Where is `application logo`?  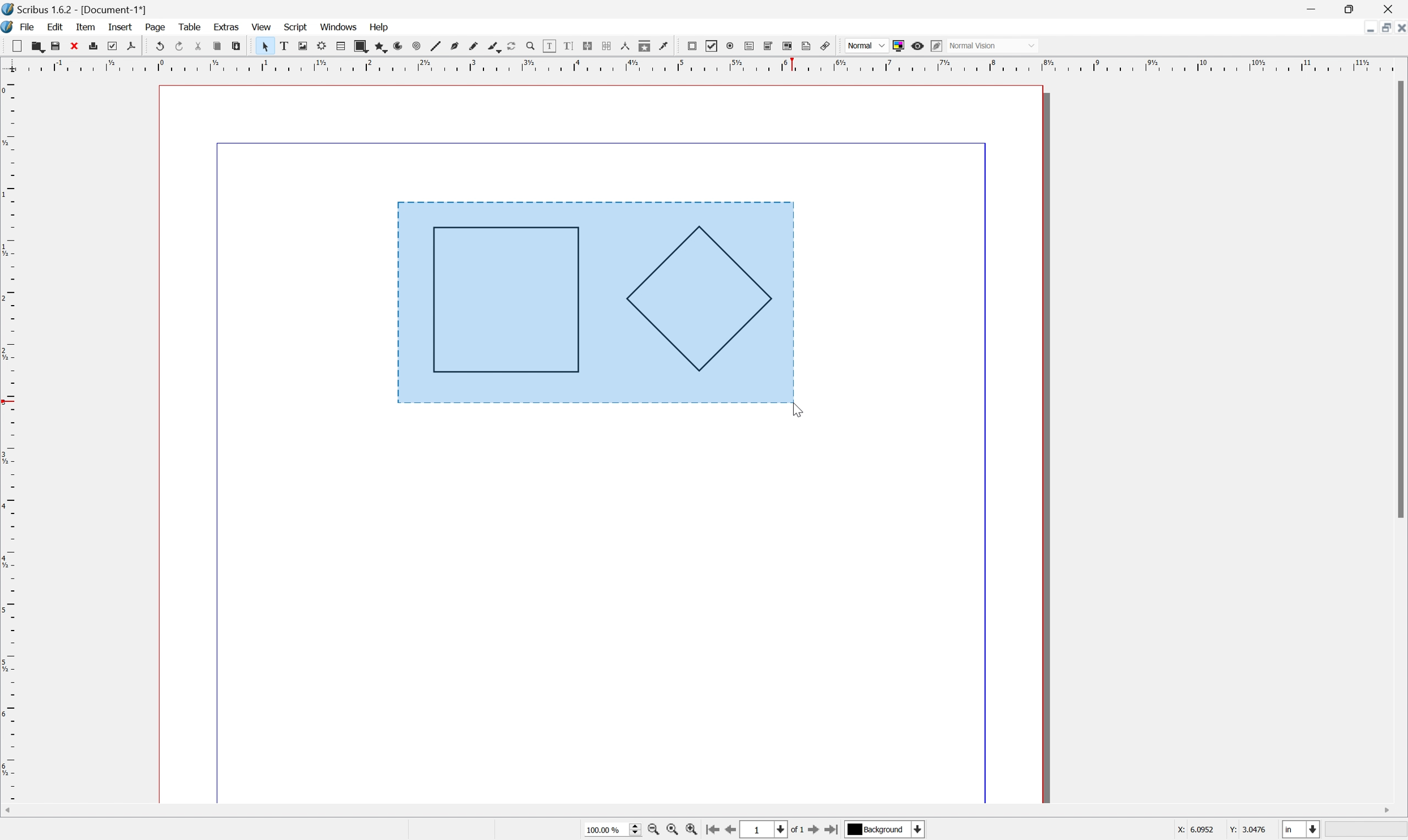
application logo is located at coordinates (9, 26).